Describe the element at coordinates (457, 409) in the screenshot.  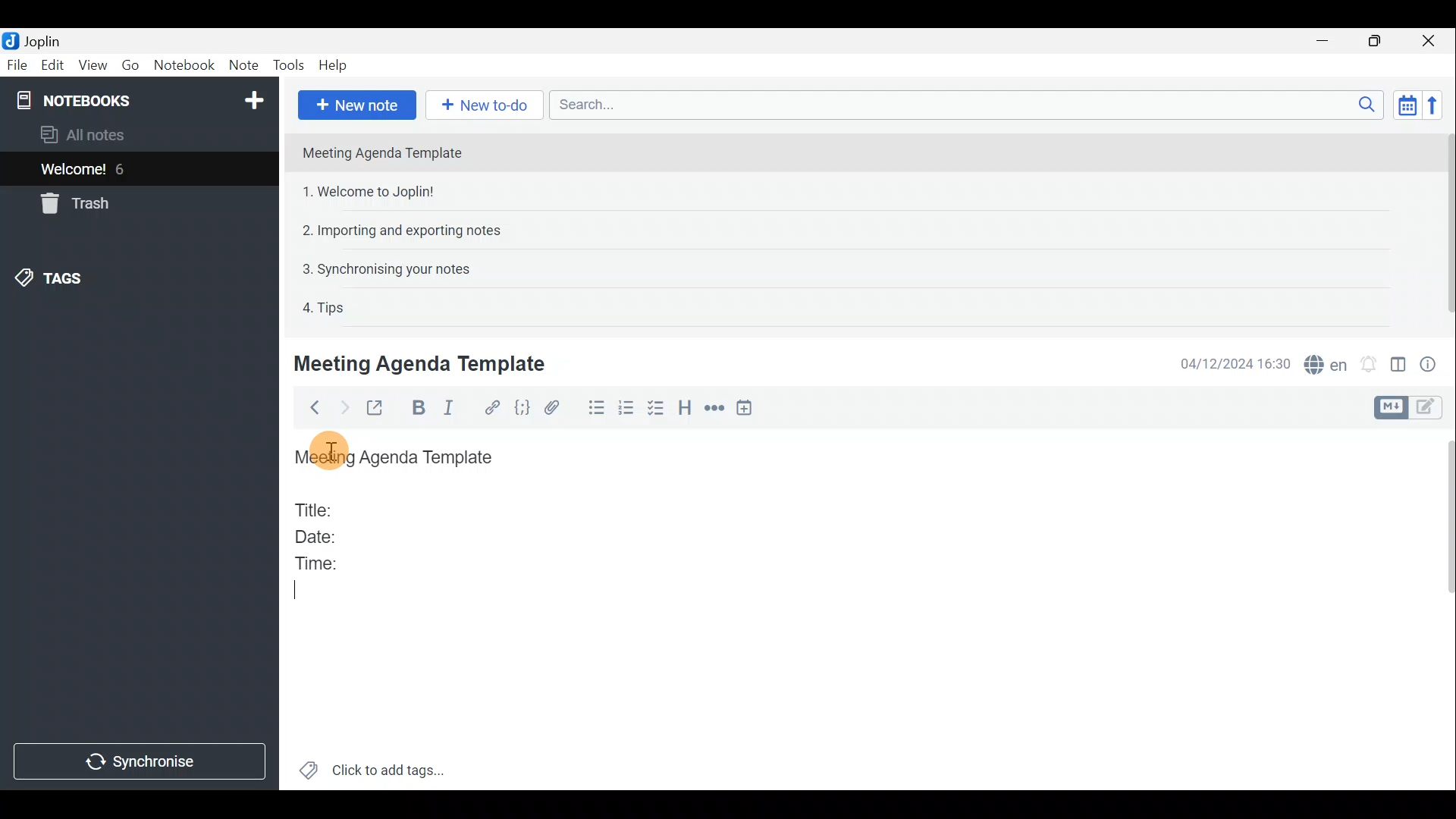
I see `Italic` at that location.